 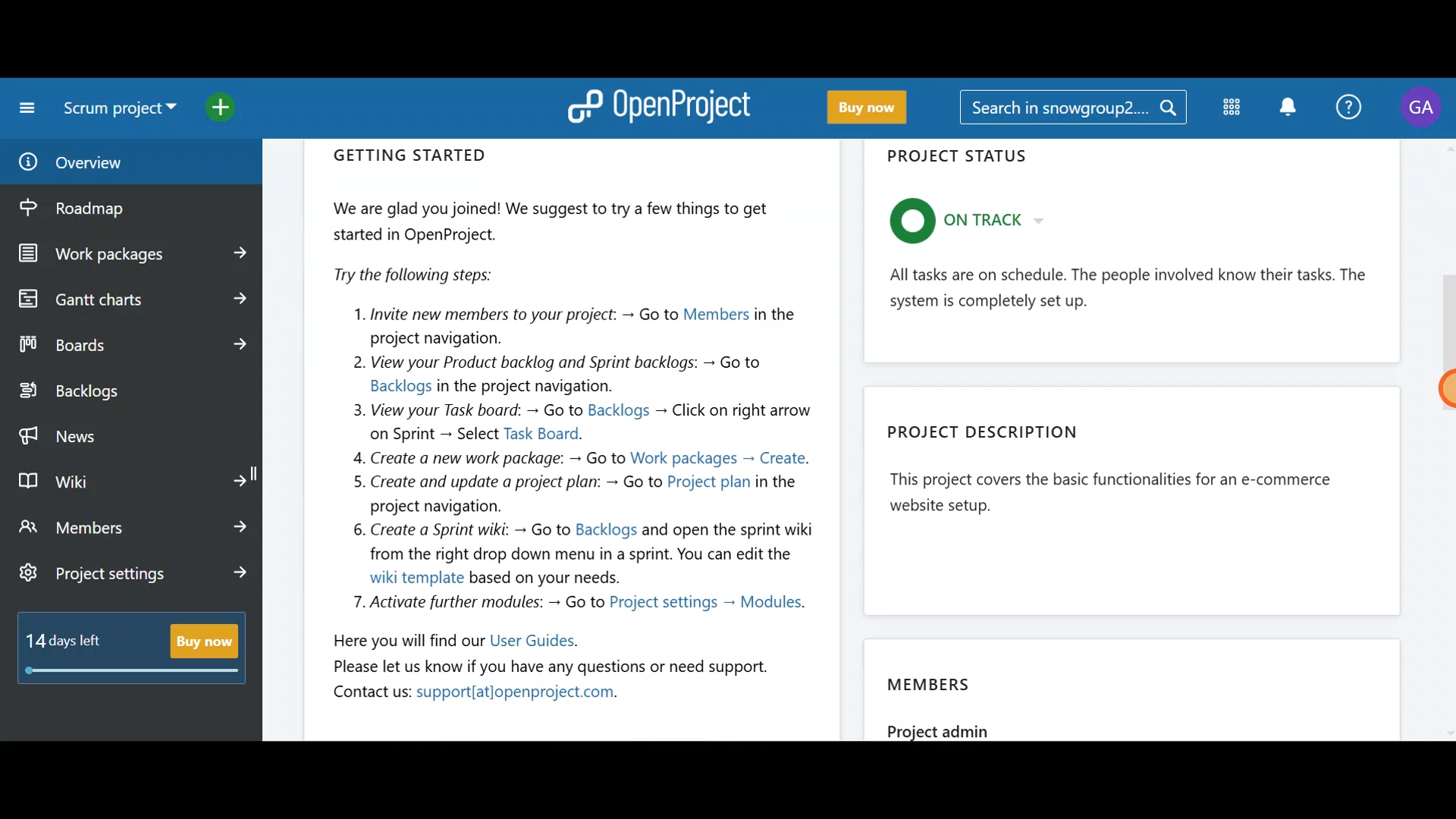 What do you see at coordinates (24, 108) in the screenshot?
I see `Collapse project menu` at bounding box center [24, 108].